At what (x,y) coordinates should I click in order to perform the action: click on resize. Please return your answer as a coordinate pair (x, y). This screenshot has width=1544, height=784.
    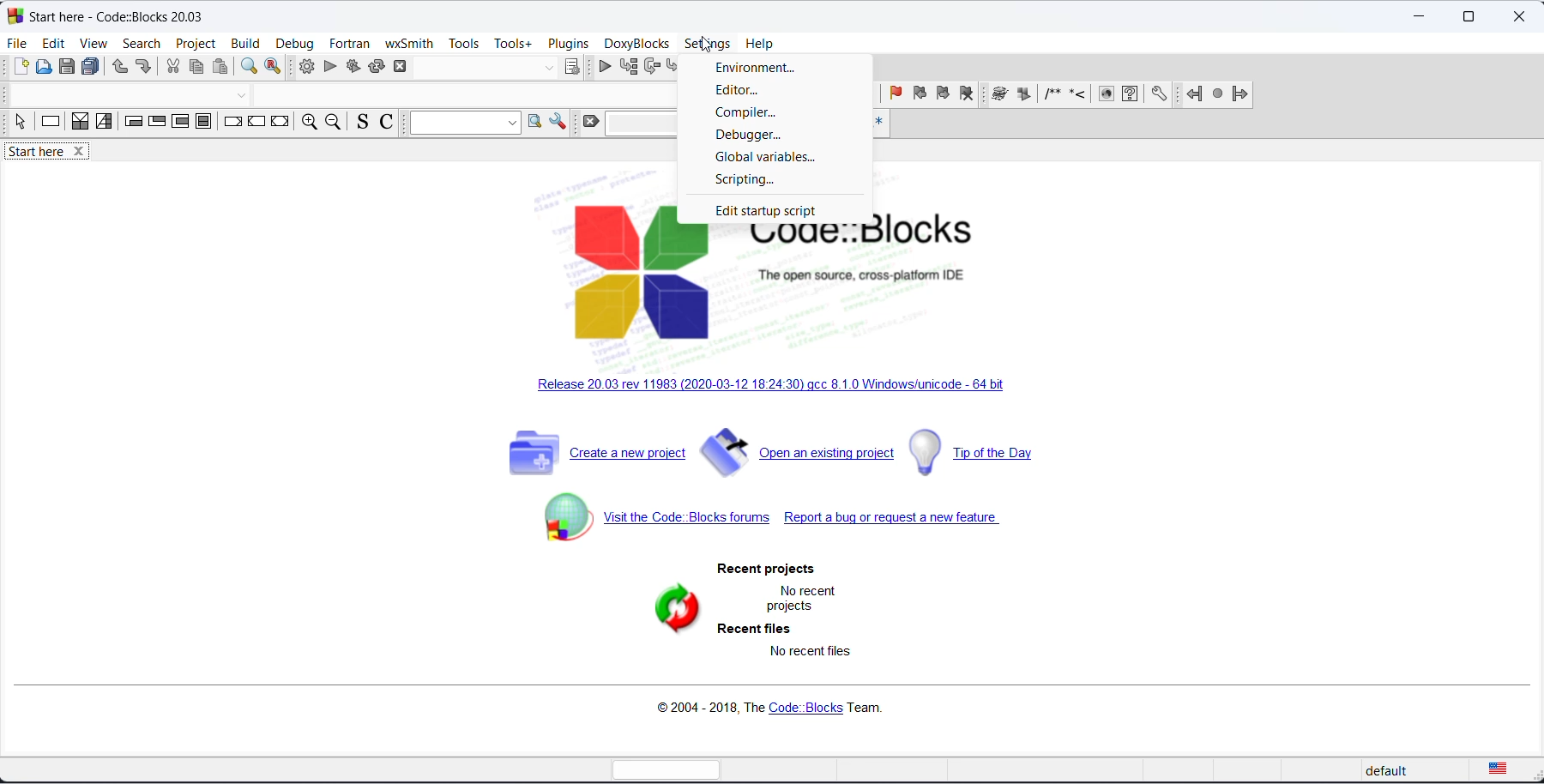
    Looking at the image, I should click on (1469, 17).